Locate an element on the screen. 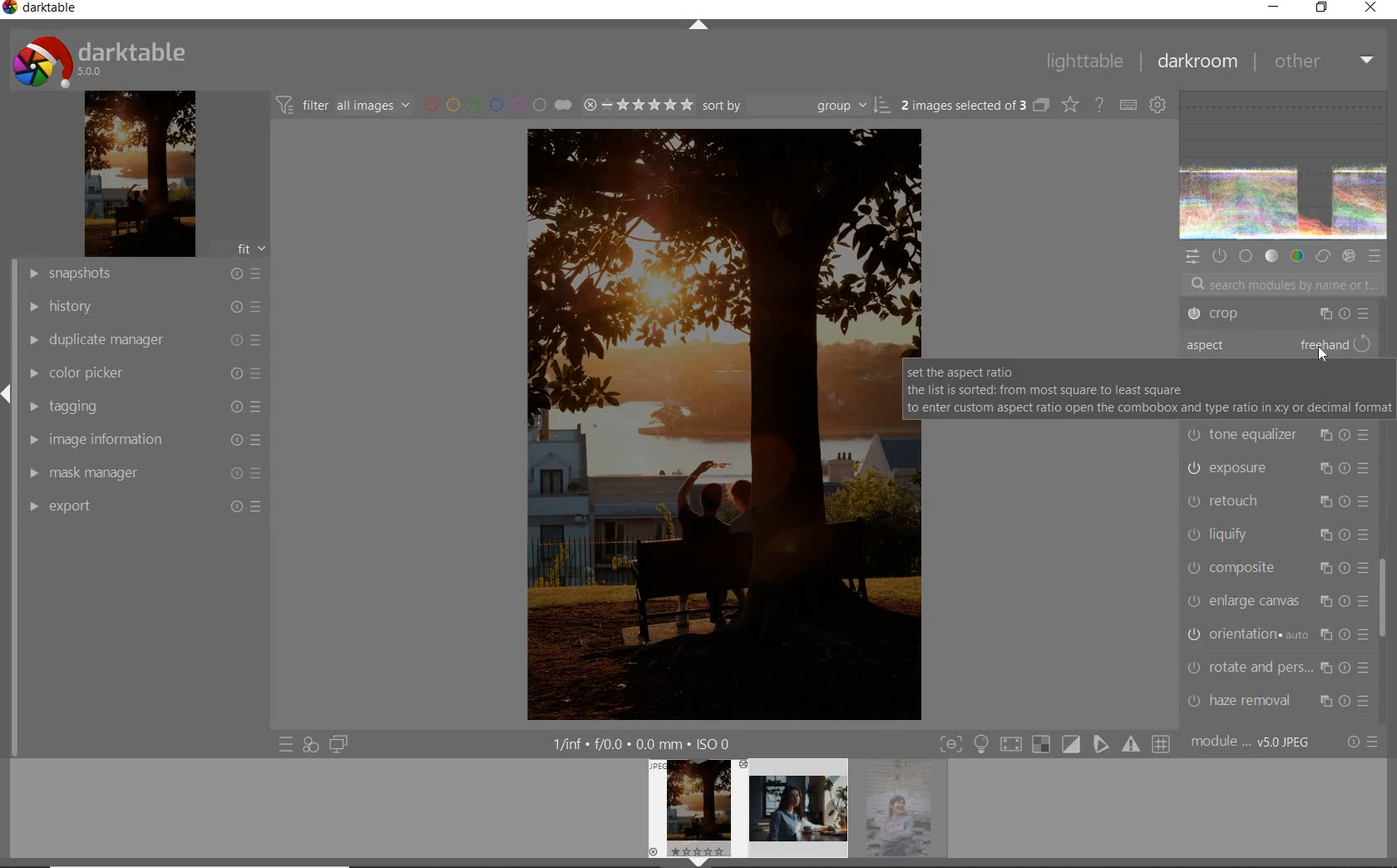  quick access preset is located at coordinates (286, 746).